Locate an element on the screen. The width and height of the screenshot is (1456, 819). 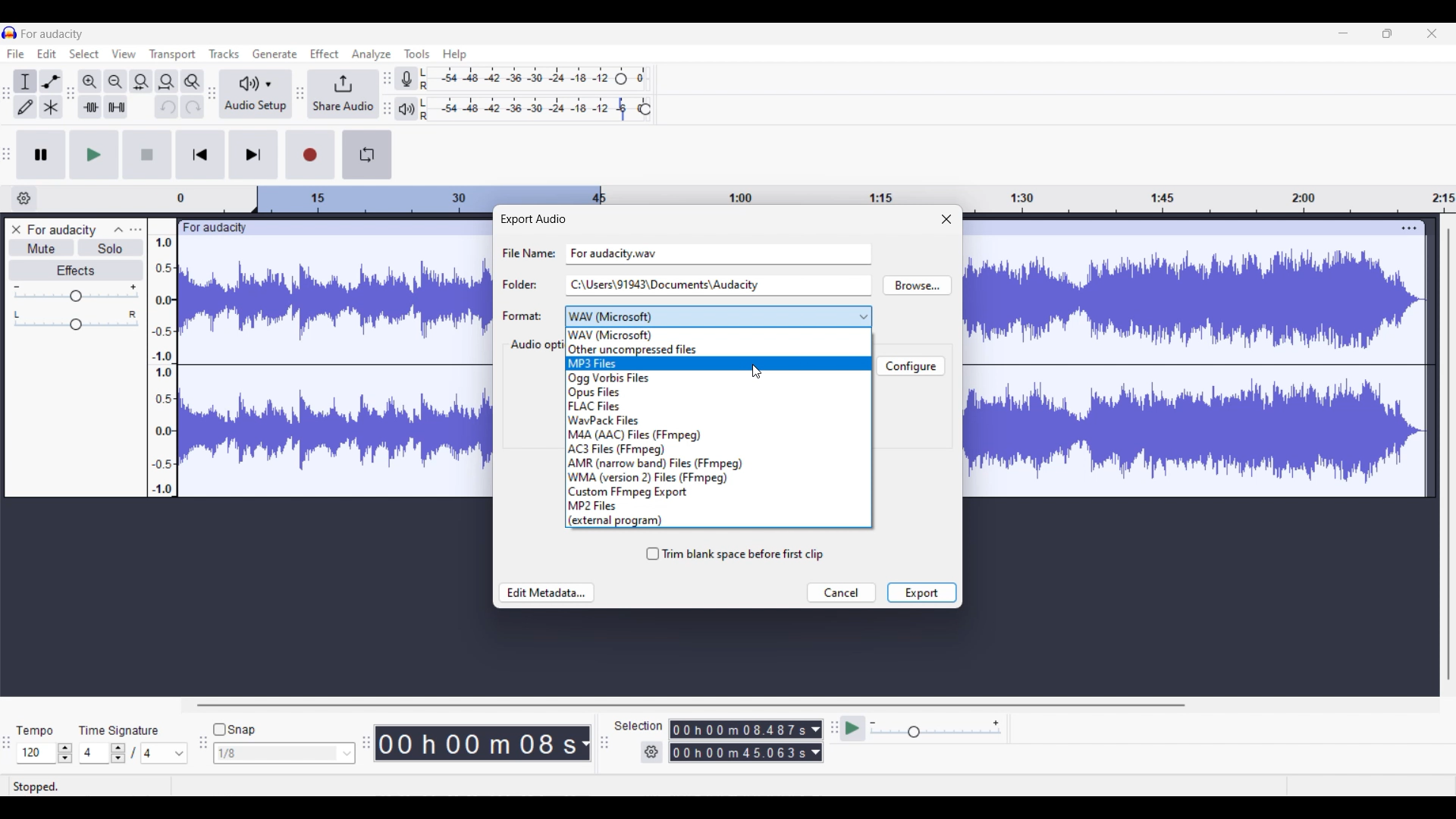
Recording level is located at coordinates (516, 79).